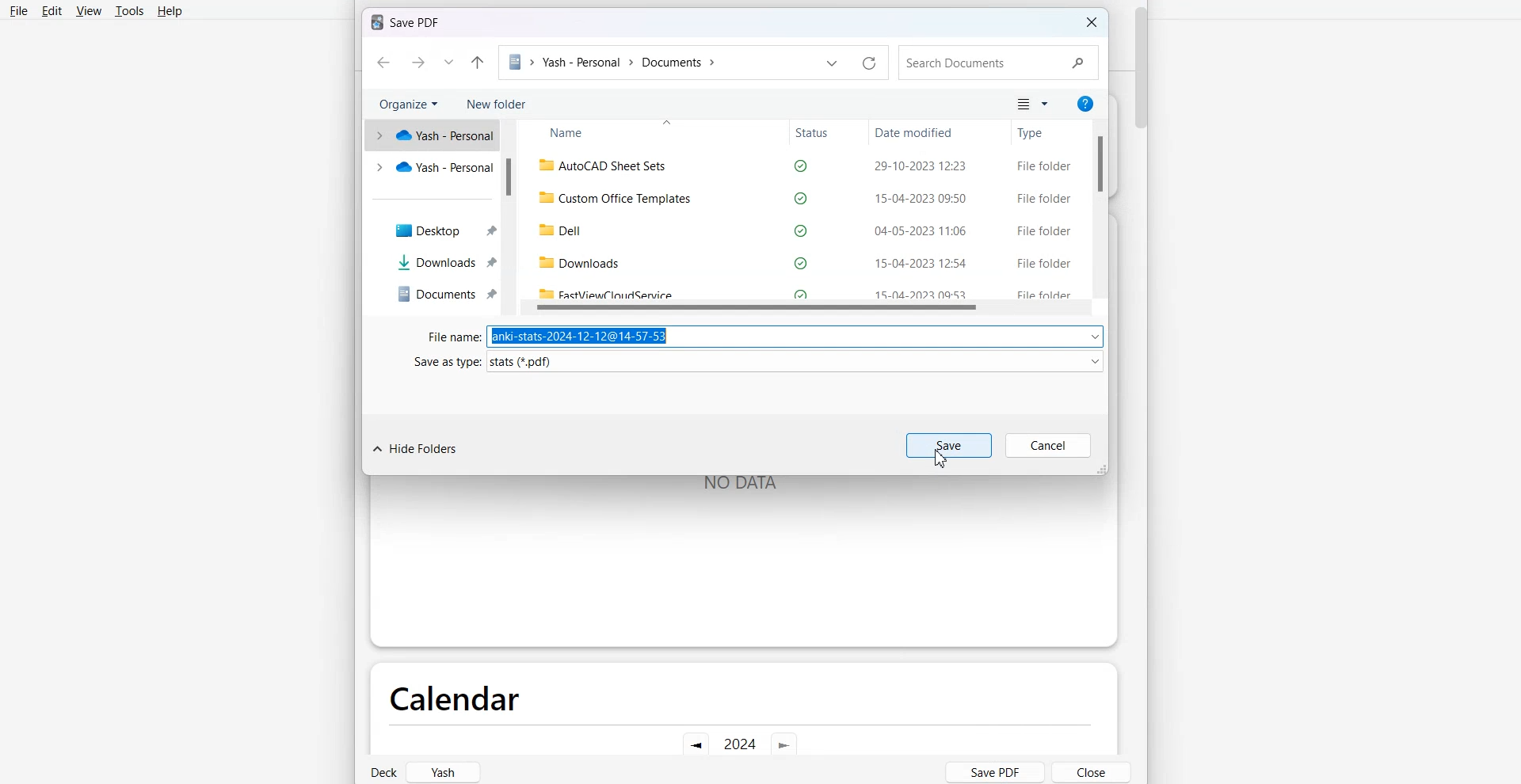 This screenshot has width=1521, height=784. I want to click on Go Back, so click(695, 745).